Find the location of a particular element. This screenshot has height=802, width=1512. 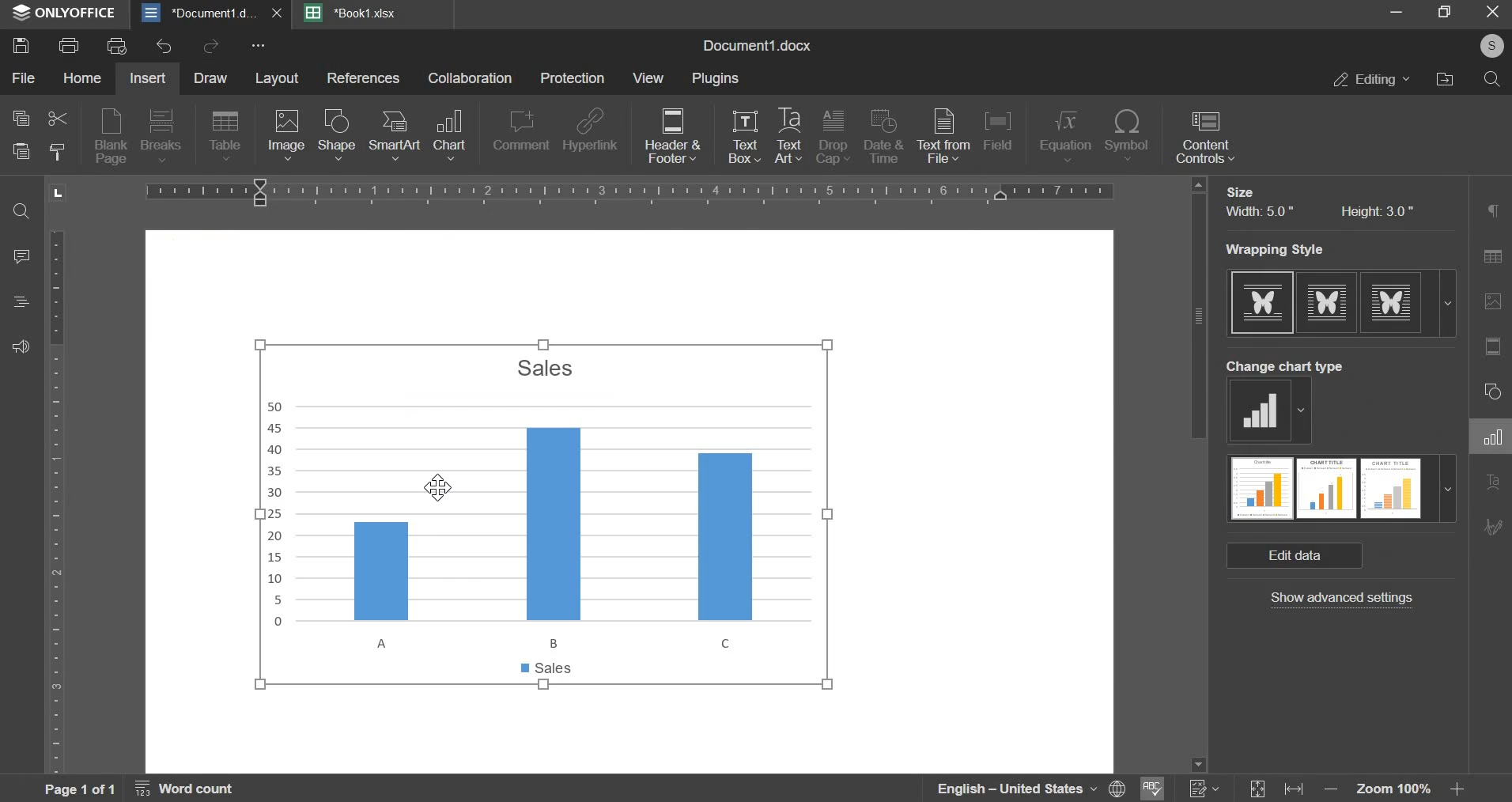

References/Bookmarks Tool is located at coordinates (1490, 528).